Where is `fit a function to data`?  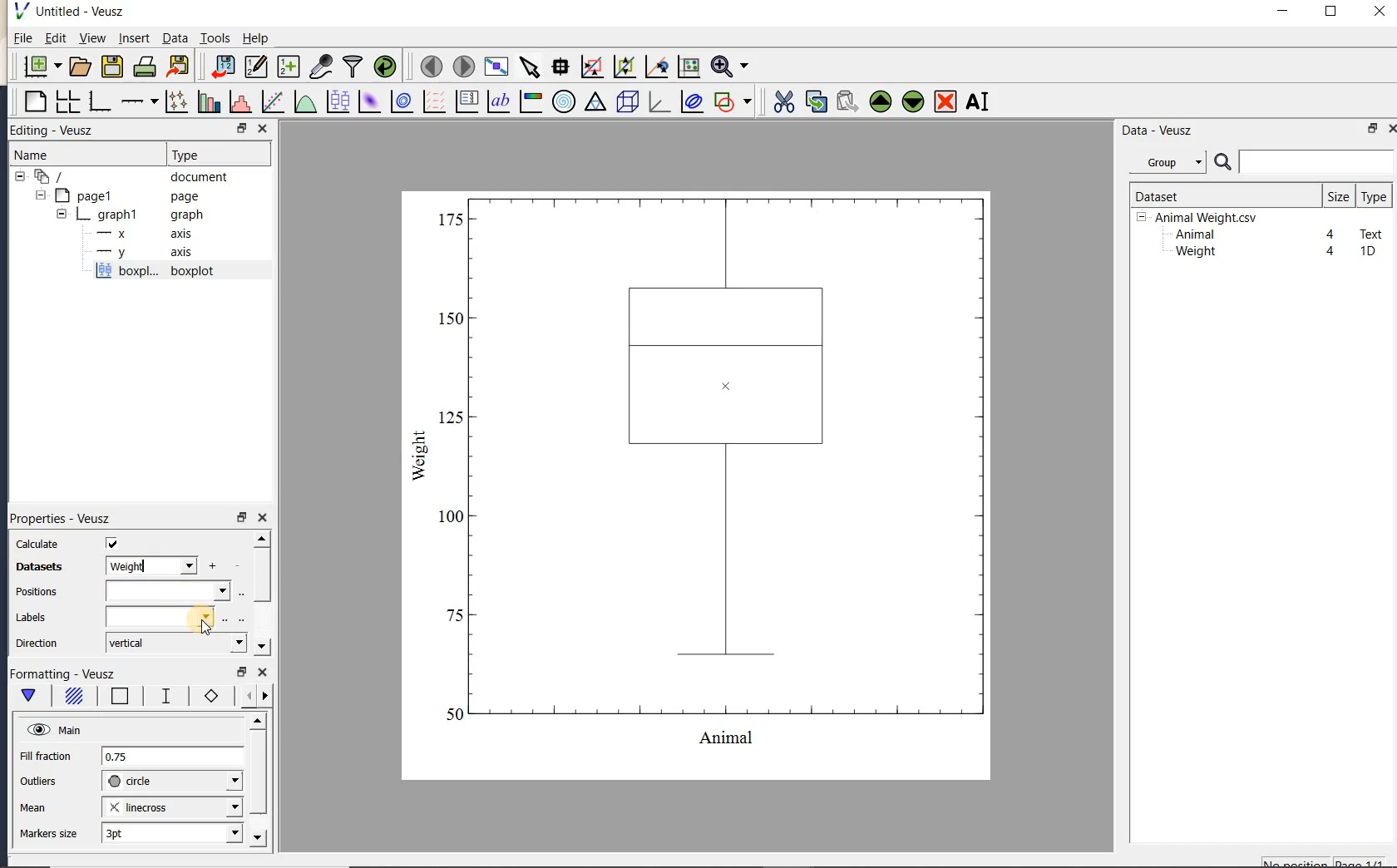 fit a function to data is located at coordinates (272, 101).